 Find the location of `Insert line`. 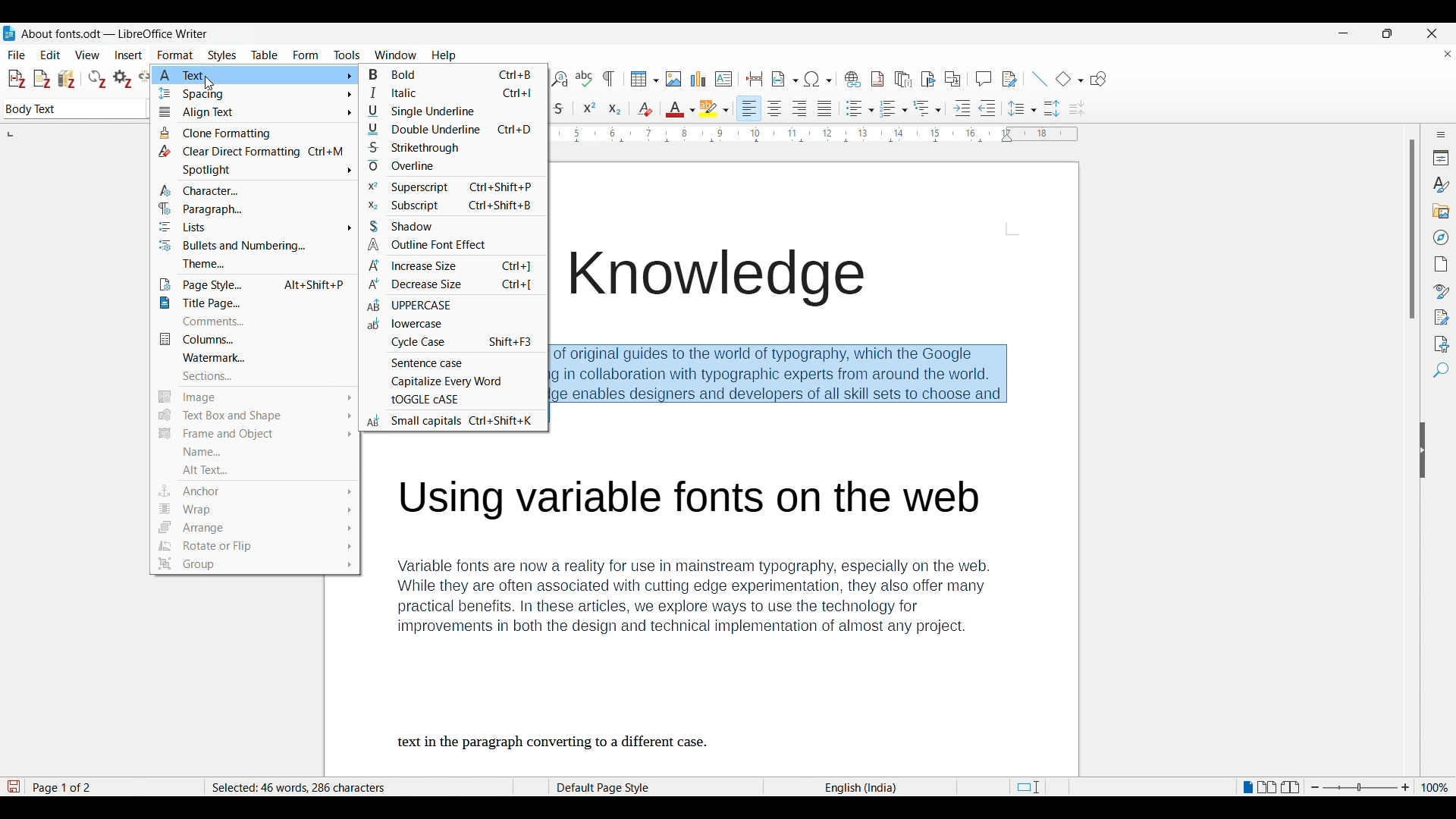

Insert line is located at coordinates (1039, 79).